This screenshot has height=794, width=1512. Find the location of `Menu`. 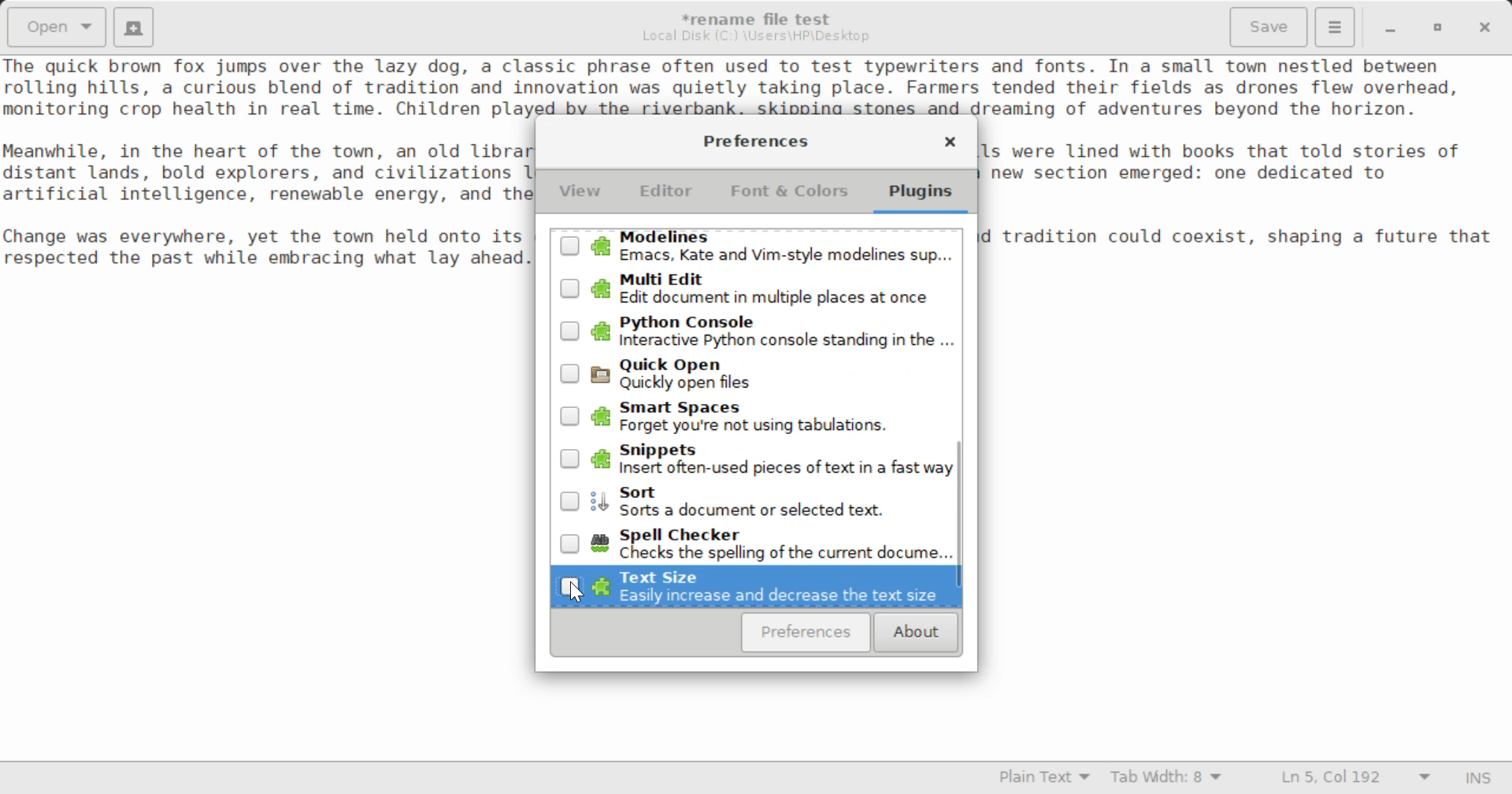

Menu is located at coordinates (1334, 25).